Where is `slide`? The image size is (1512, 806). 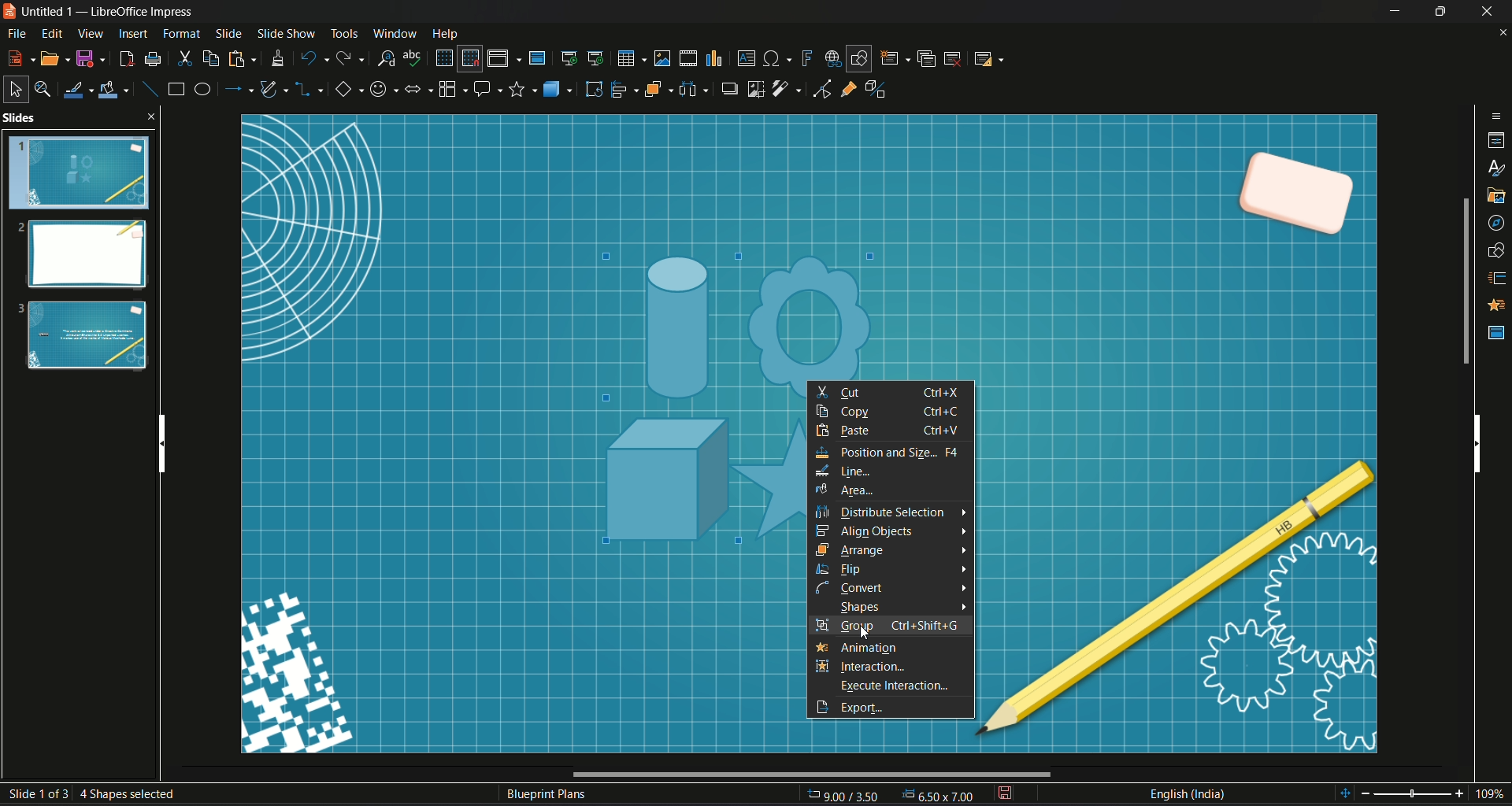 slide is located at coordinates (229, 32).